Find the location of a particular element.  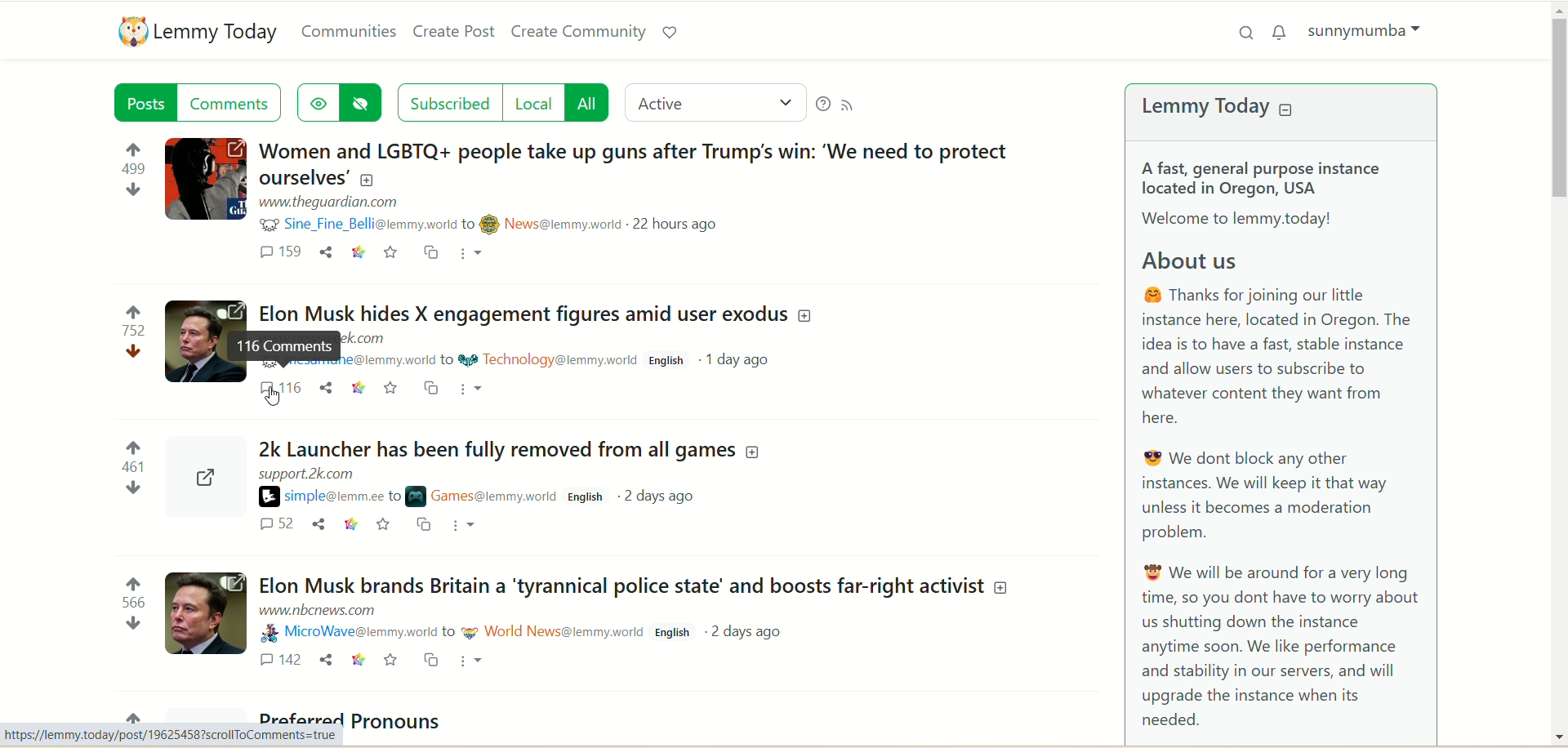

comment 116 is located at coordinates (280, 386).